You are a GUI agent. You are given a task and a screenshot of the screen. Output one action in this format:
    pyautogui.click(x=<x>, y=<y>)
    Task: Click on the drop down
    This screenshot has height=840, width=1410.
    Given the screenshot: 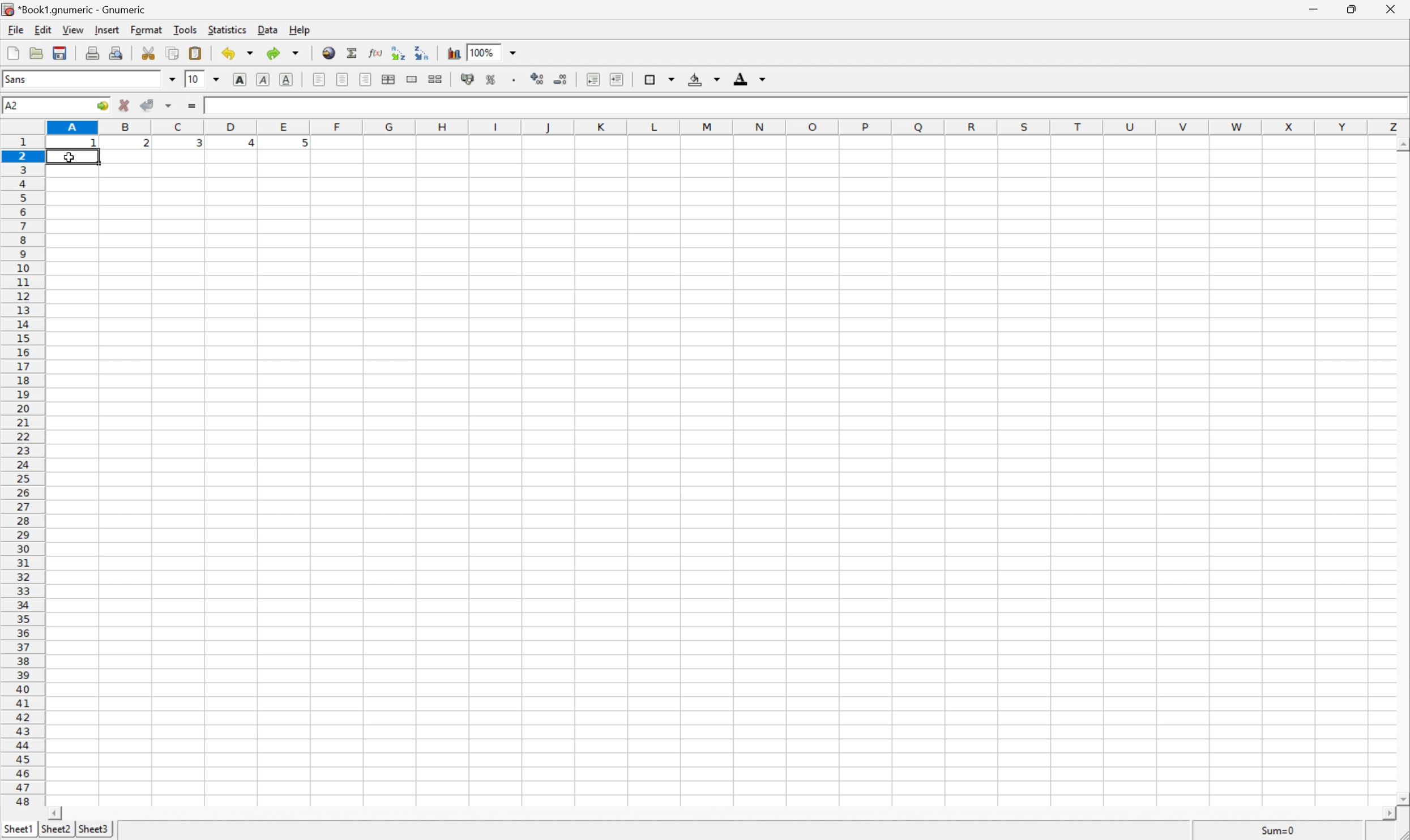 What is the action you would take?
    pyautogui.click(x=172, y=81)
    